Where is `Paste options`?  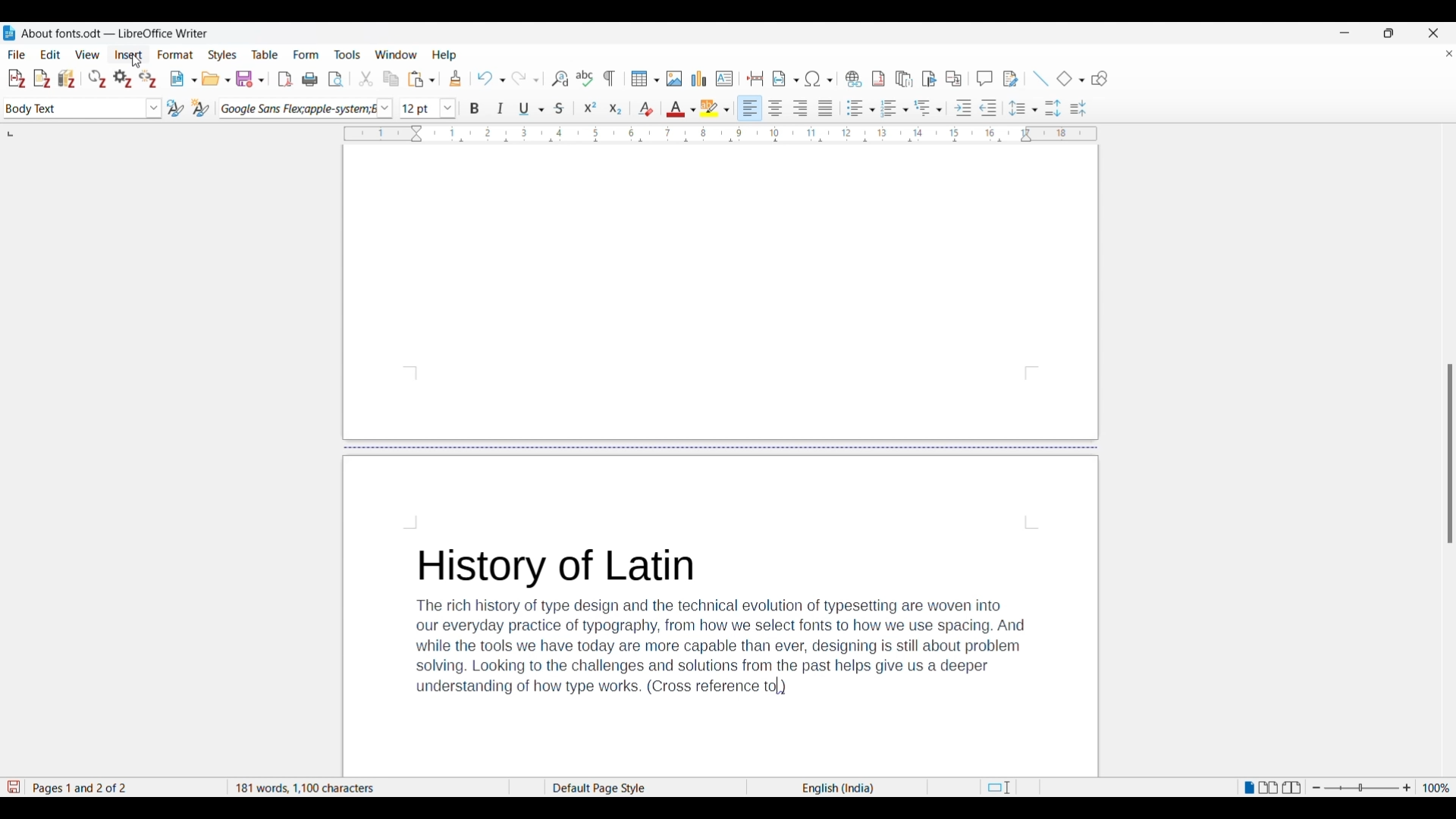
Paste options is located at coordinates (422, 79).